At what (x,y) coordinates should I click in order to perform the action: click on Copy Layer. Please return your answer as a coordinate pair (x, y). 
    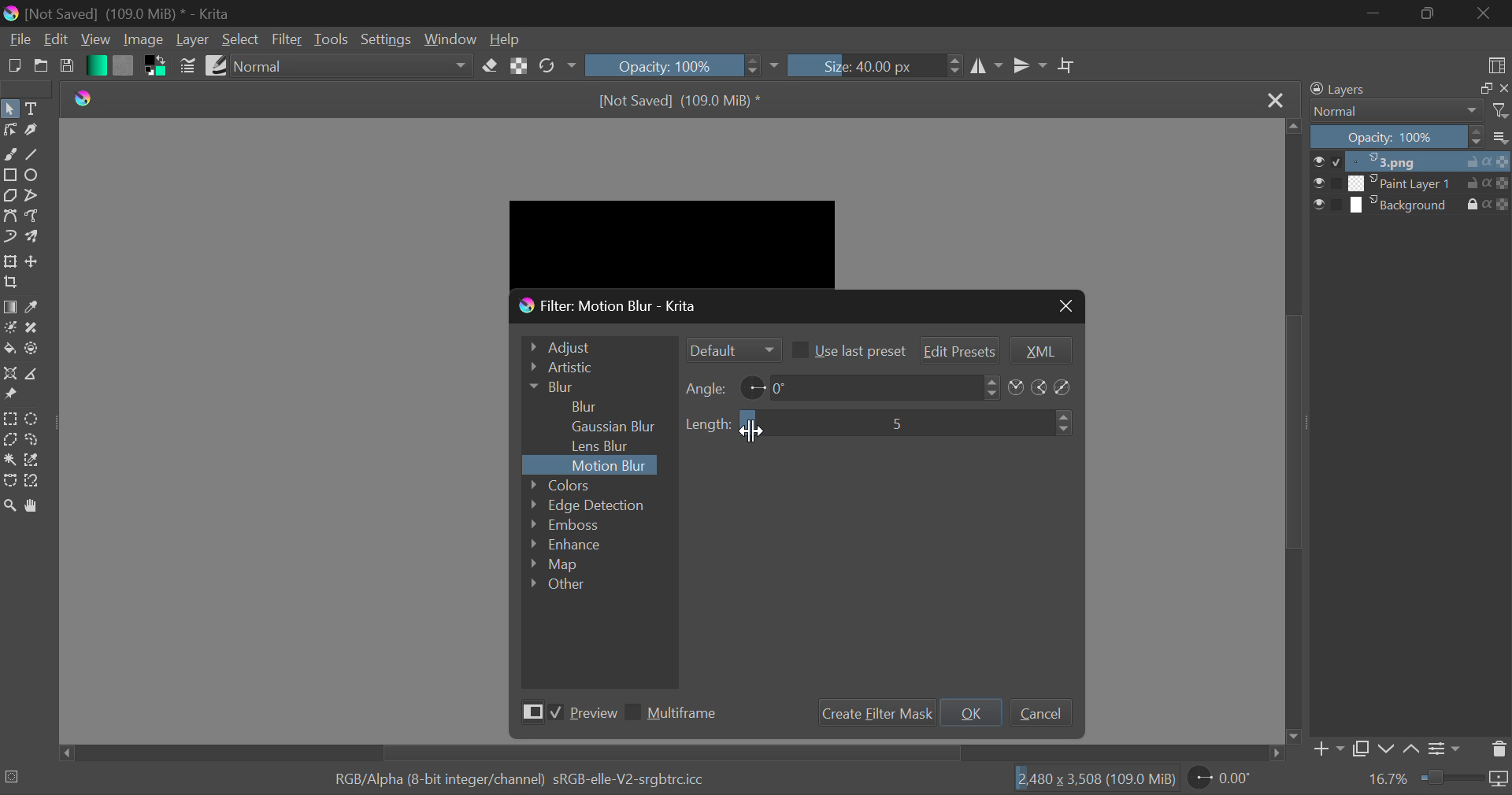
    Looking at the image, I should click on (1361, 749).